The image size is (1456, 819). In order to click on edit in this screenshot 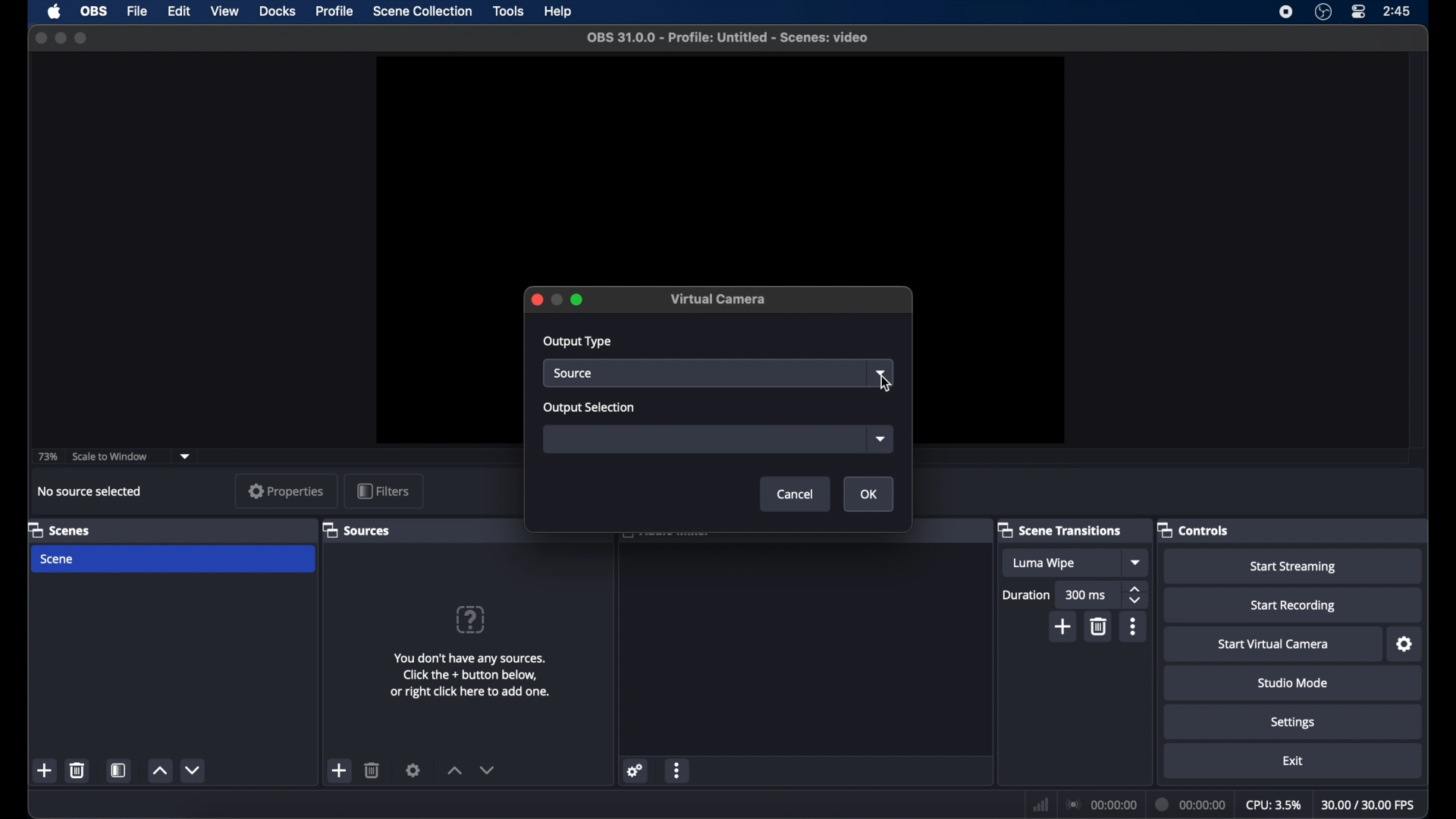, I will do `click(178, 10)`.